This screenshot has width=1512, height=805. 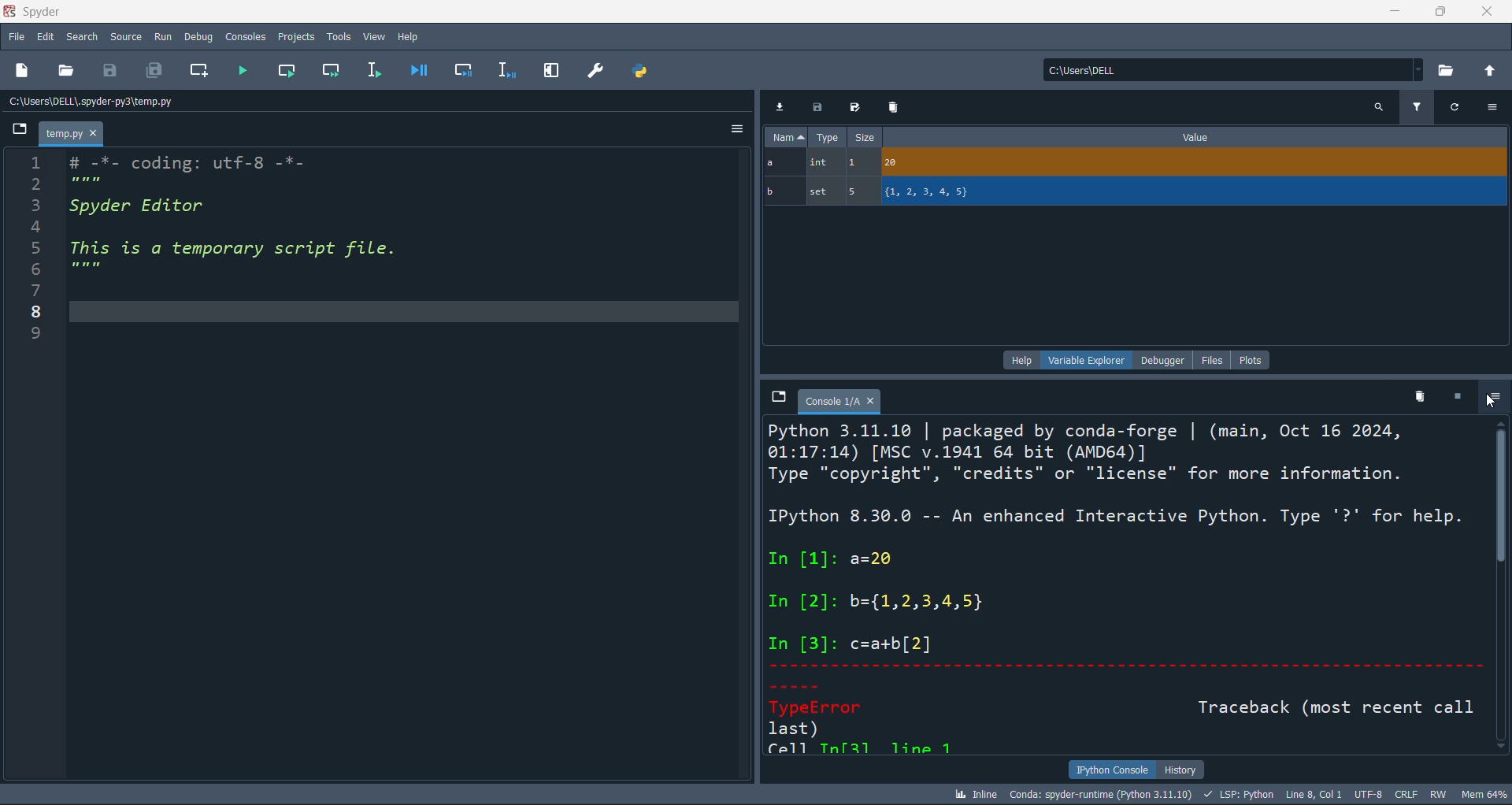 What do you see at coordinates (1370, 796) in the screenshot?
I see `UTF-8` at bounding box center [1370, 796].